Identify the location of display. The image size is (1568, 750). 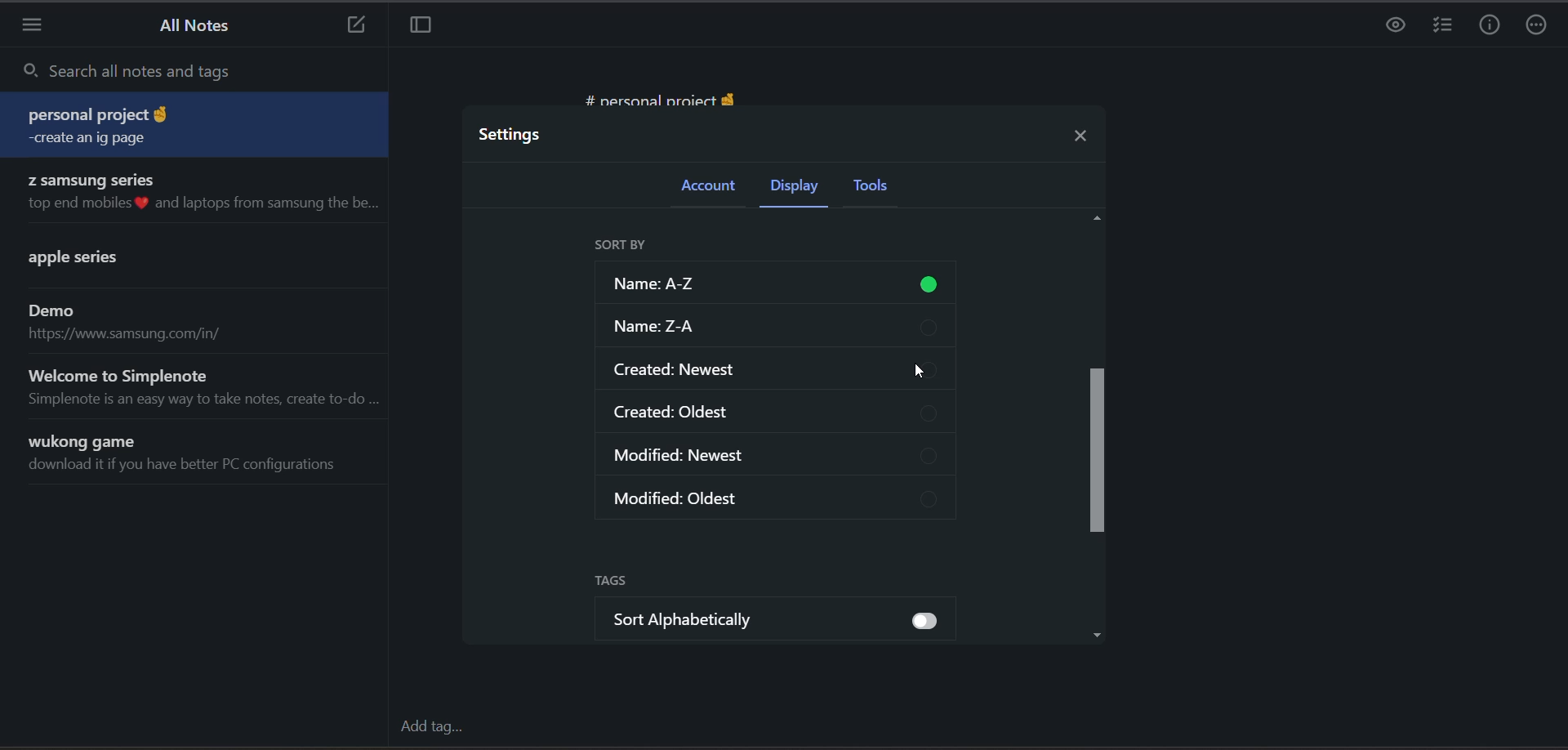
(793, 188).